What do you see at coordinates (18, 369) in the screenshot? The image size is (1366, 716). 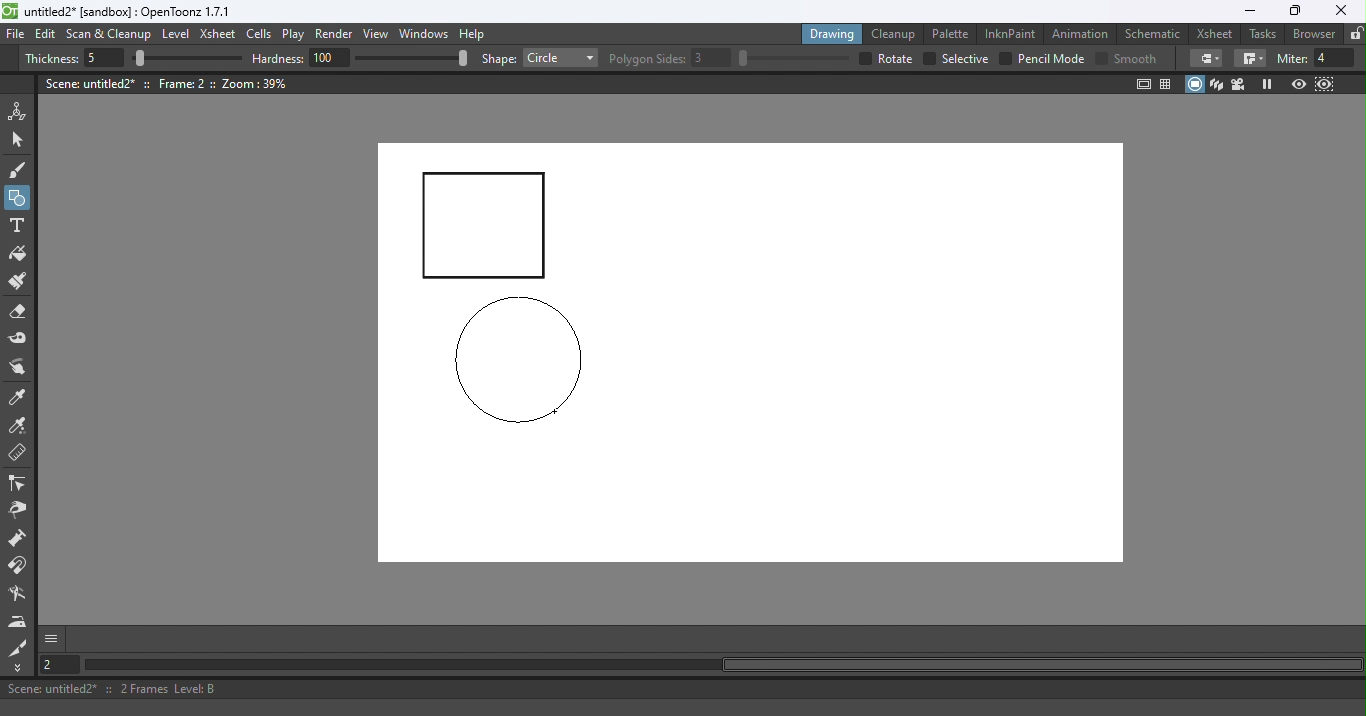 I see `Finger tool` at bounding box center [18, 369].